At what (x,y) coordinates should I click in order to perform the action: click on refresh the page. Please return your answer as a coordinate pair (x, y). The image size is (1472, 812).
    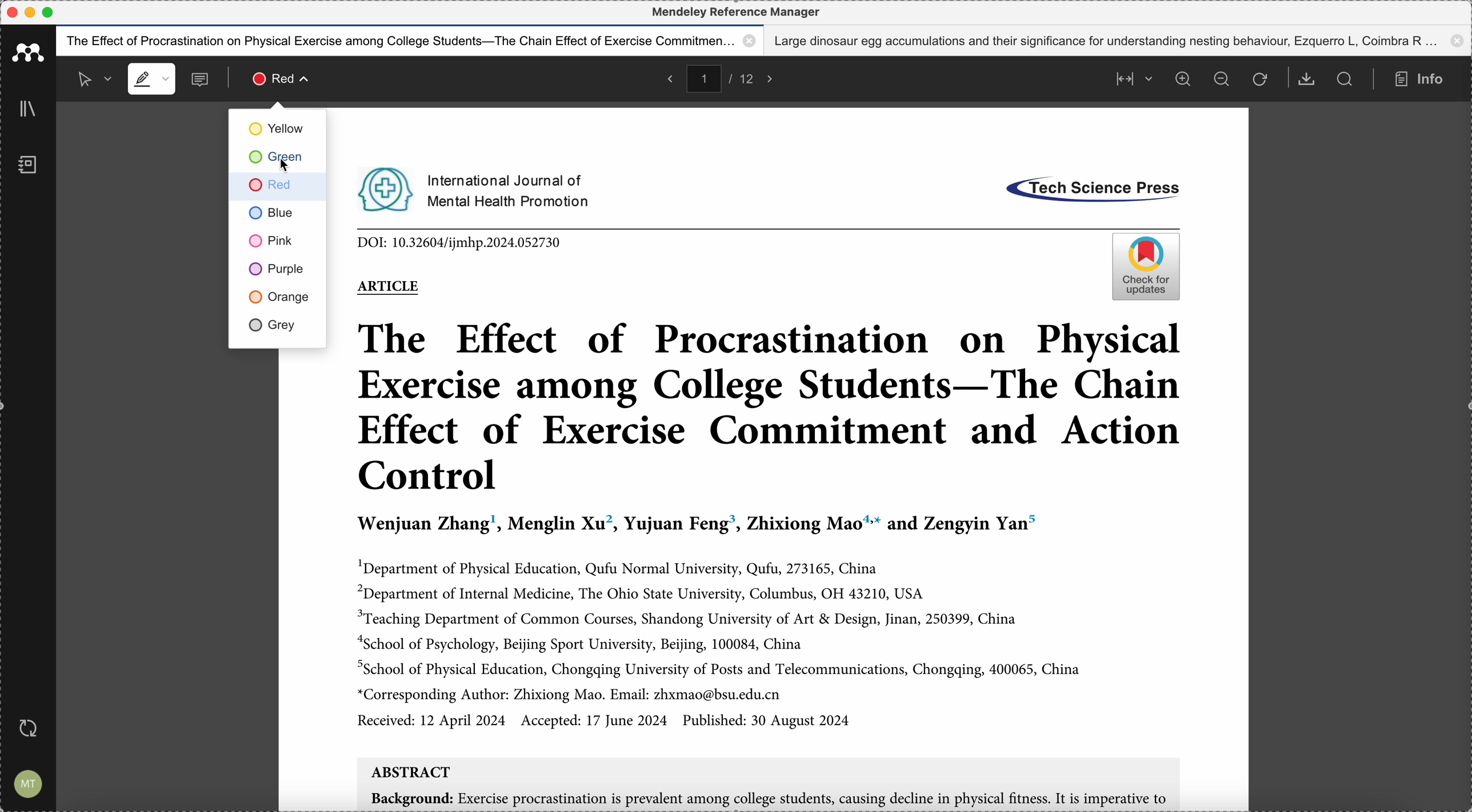
    Looking at the image, I should click on (1259, 80).